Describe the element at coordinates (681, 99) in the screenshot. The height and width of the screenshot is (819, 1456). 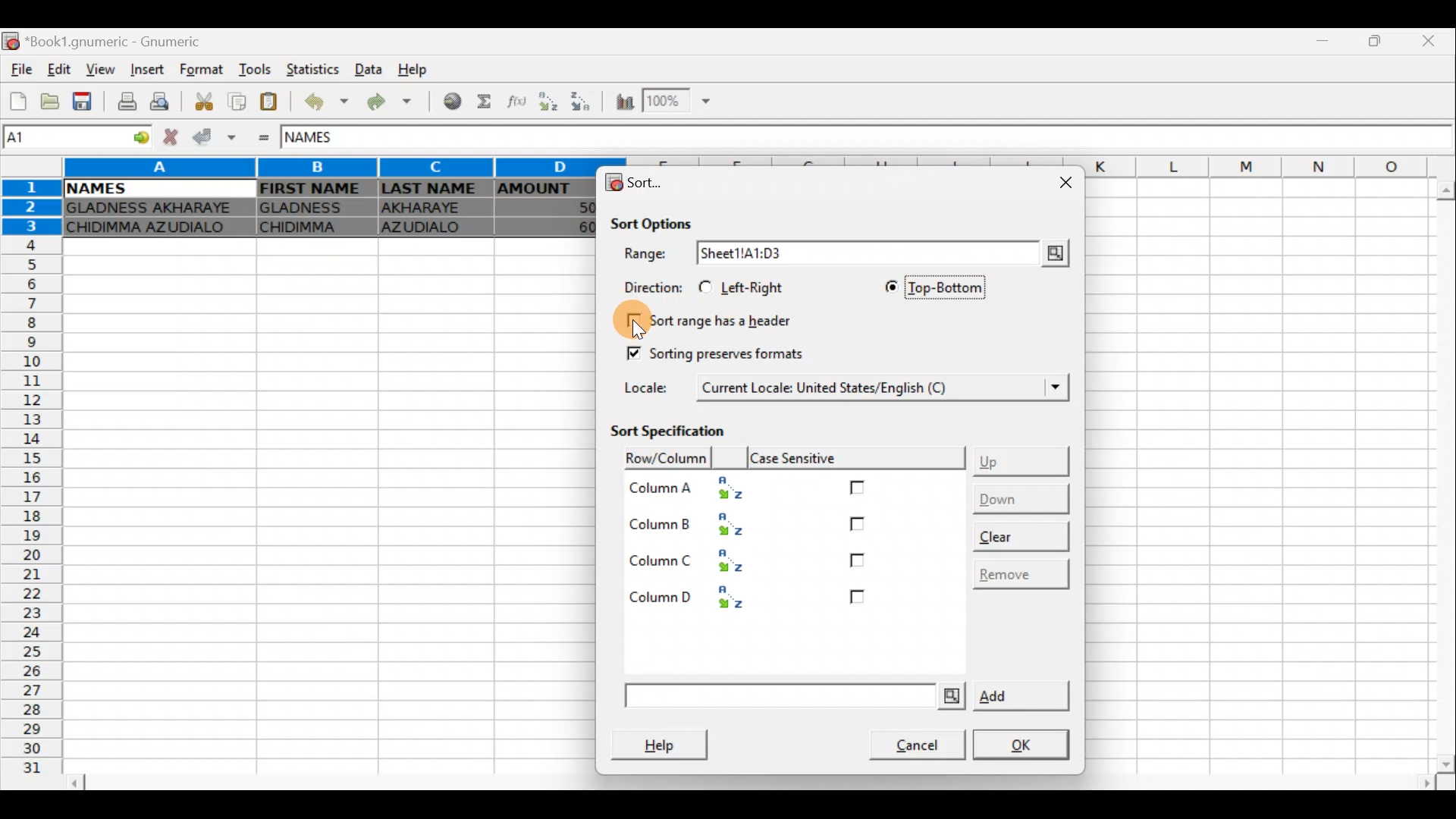
I see `Zoom` at that location.